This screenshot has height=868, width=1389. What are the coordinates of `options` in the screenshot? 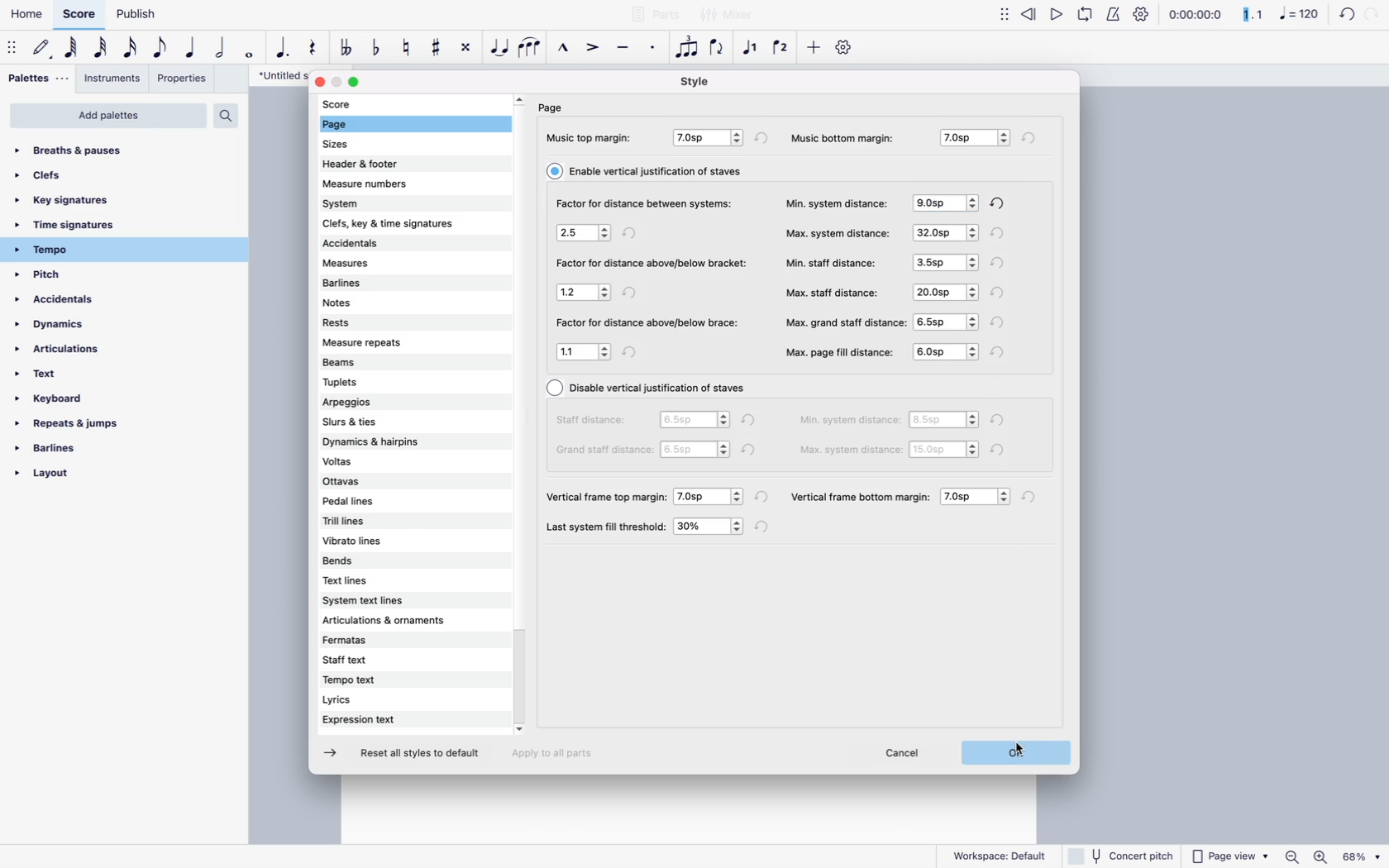 It's located at (712, 496).